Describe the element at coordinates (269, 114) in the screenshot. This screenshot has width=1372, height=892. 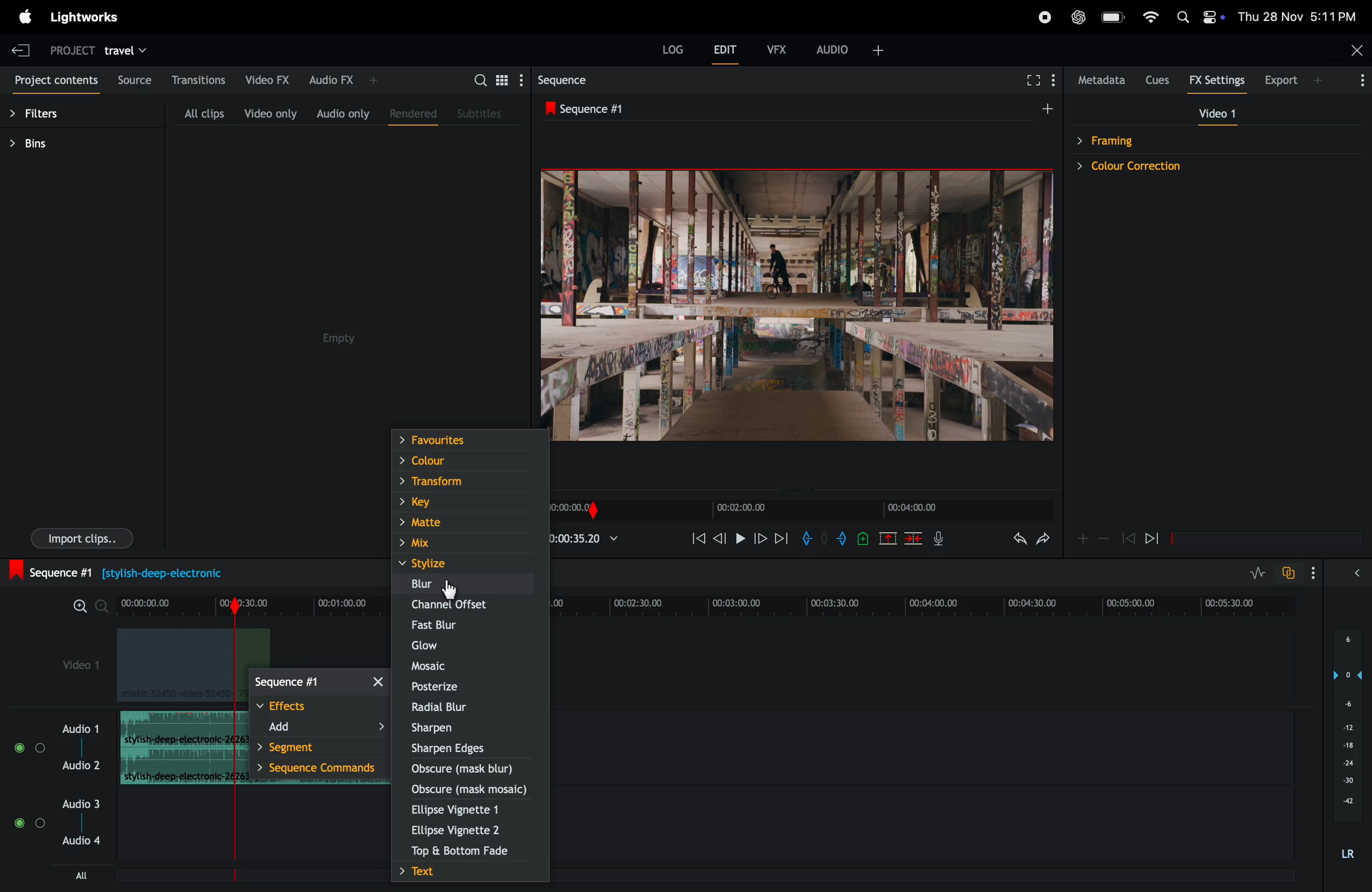
I see `video only` at that location.